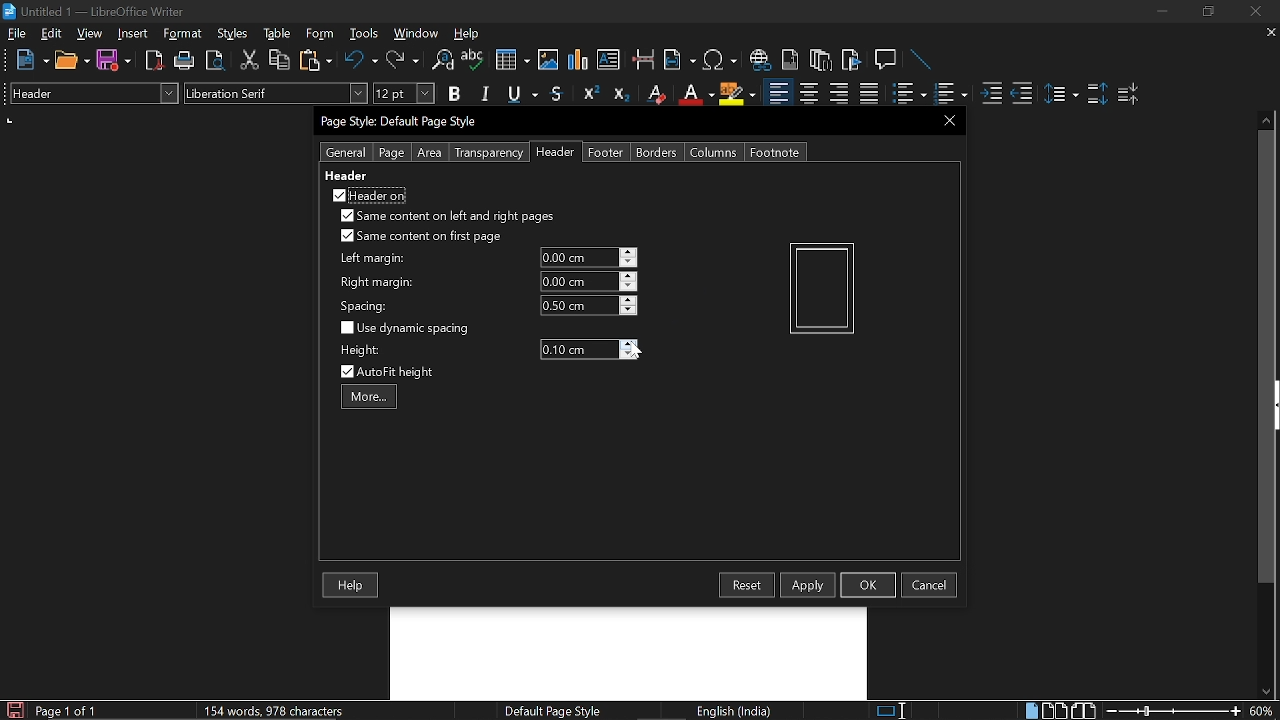  Describe the element at coordinates (408, 328) in the screenshot. I see `Use dynamic spacing` at that location.